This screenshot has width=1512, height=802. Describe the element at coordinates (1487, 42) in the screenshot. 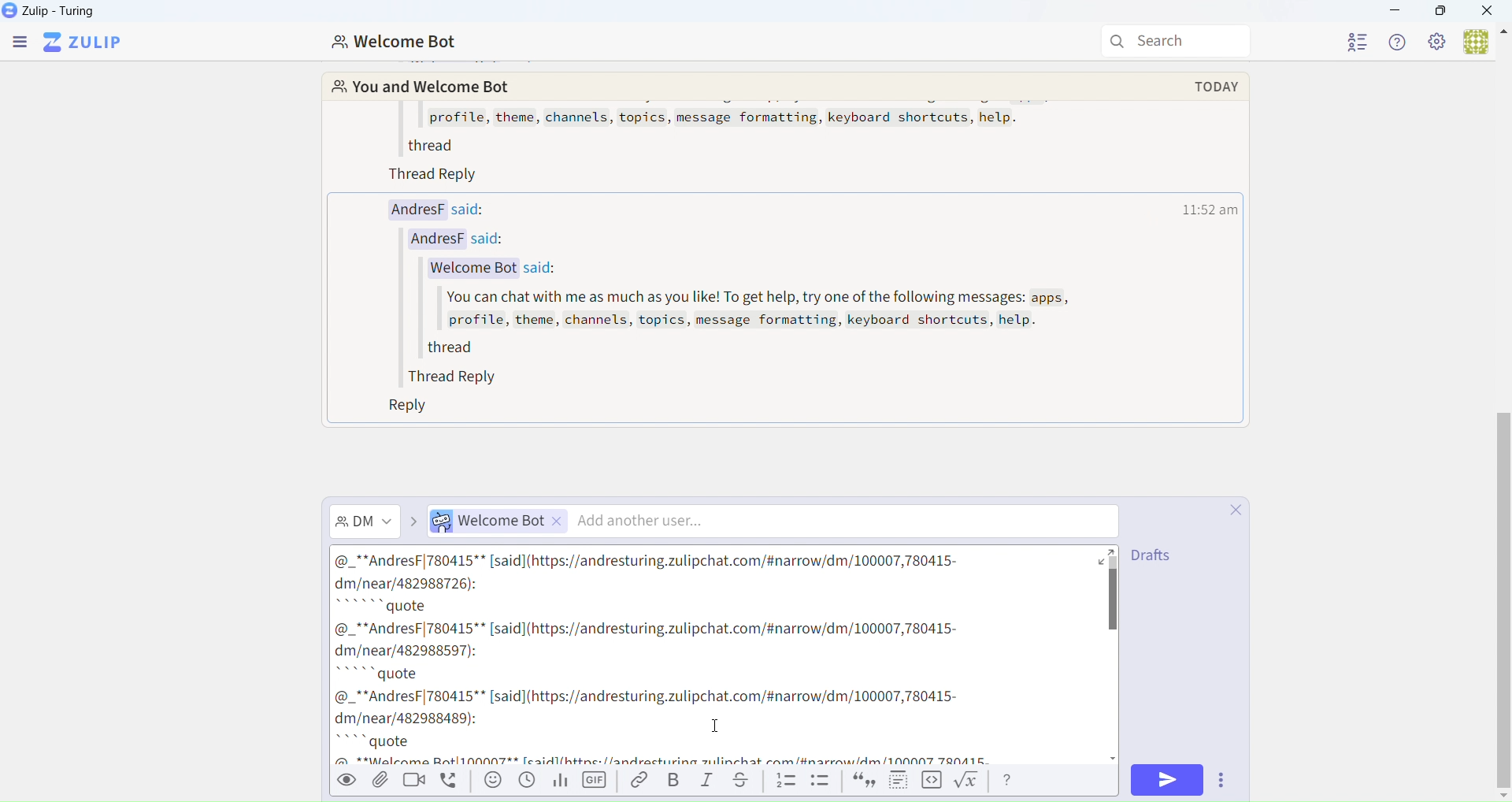

I see `User` at that location.